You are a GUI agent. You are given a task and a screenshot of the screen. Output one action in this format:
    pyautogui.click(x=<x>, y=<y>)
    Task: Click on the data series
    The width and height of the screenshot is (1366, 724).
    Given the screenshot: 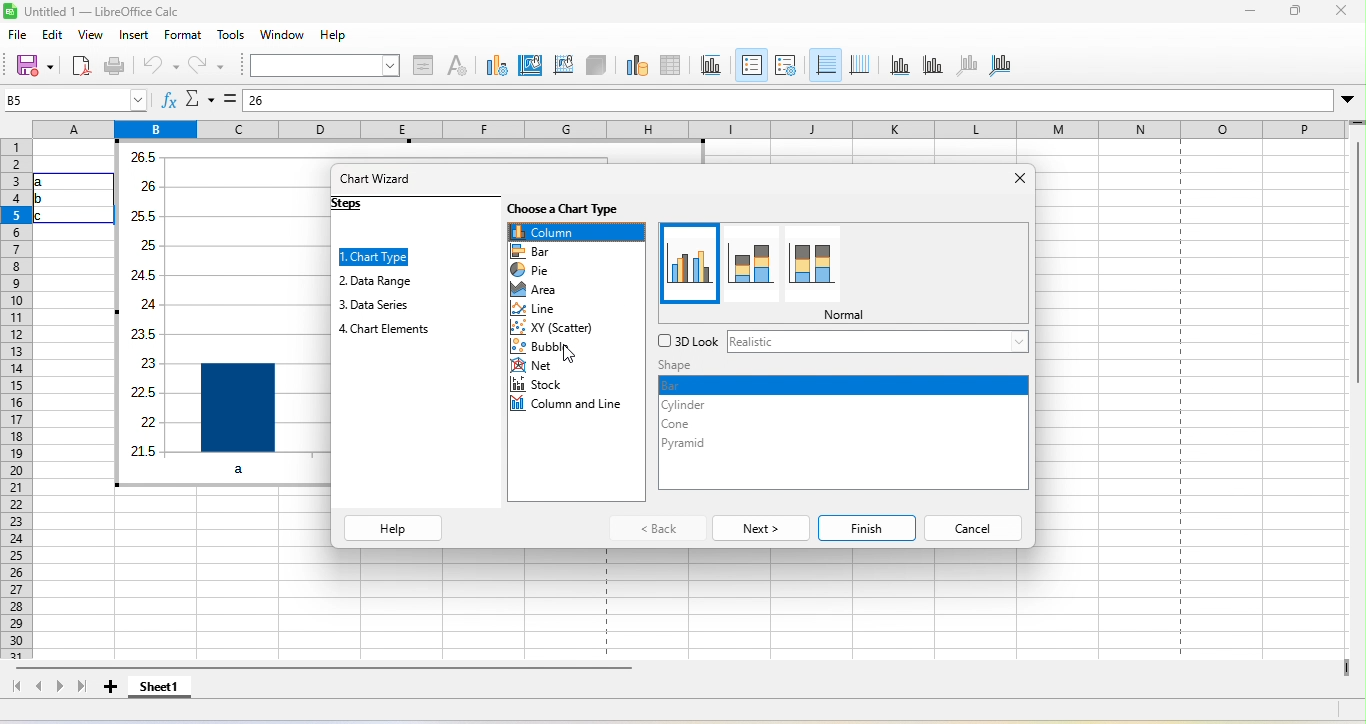 What is the action you would take?
    pyautogui.click(x=390, y=303)
    